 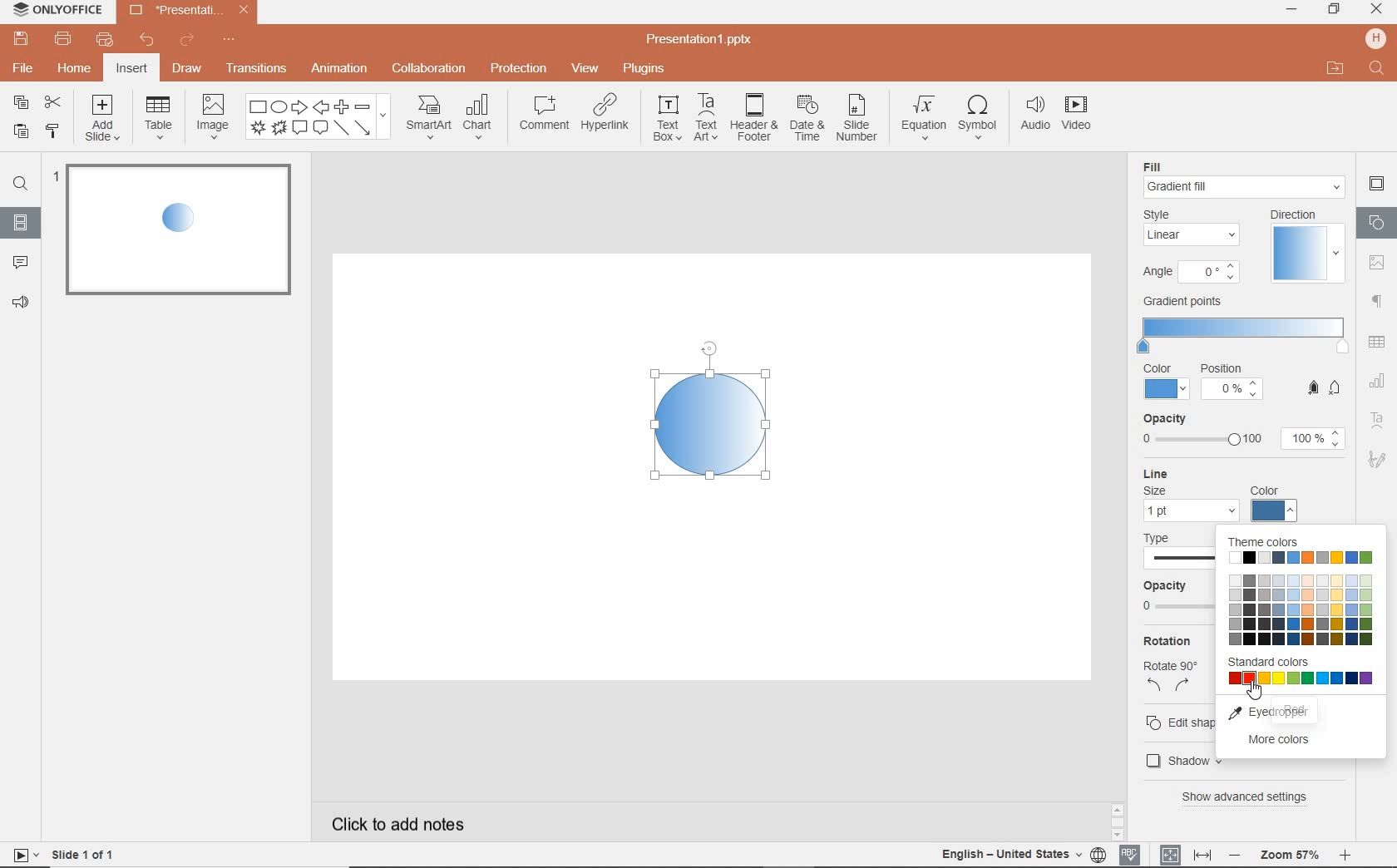 I want to click on theme colors, so click(x=1303, y=558).